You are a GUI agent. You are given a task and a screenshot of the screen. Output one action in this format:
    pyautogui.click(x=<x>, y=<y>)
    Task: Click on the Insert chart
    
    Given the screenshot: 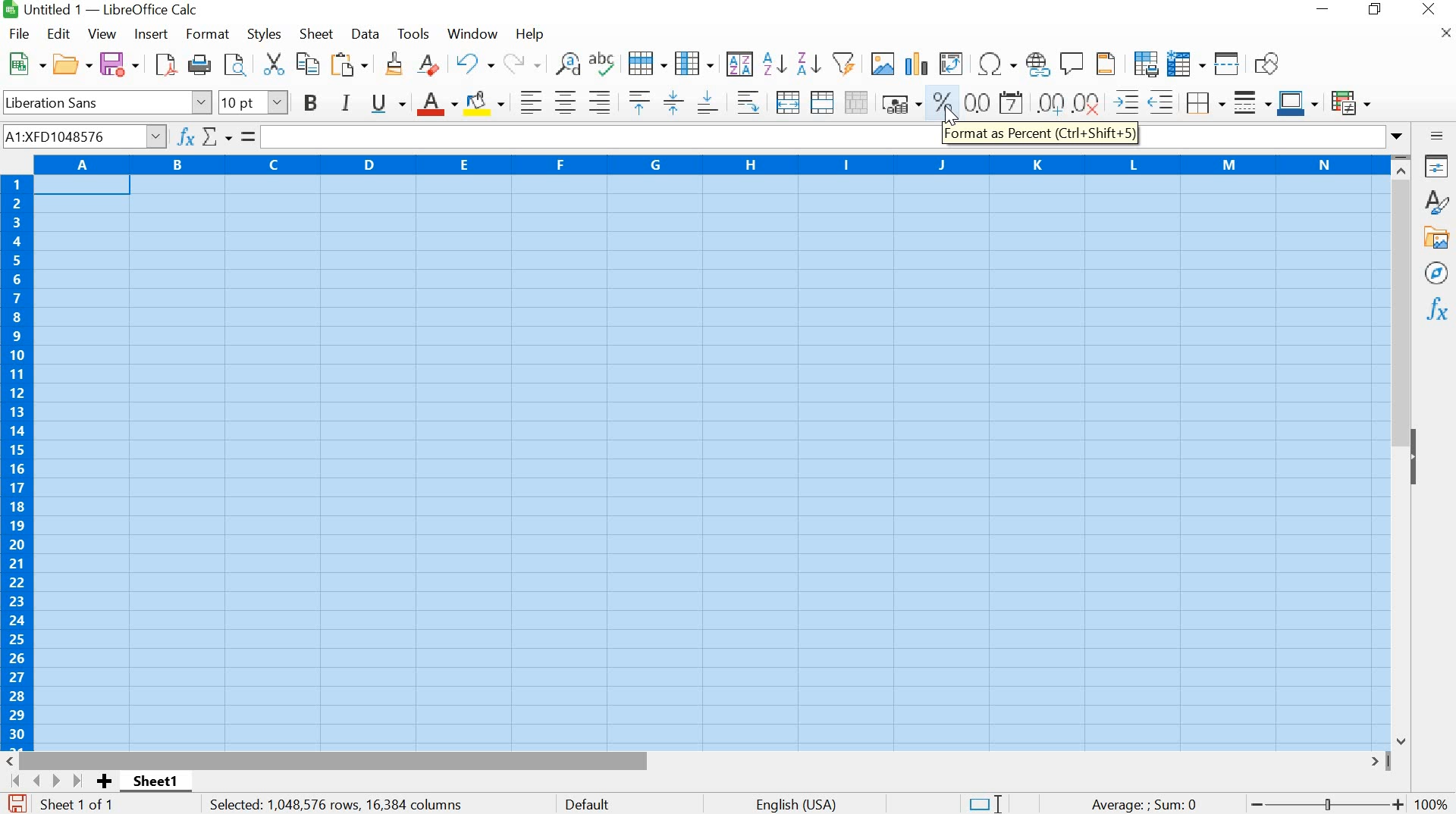 What is the action you would take?
    pyautogui.click(x=915, y=64)
    